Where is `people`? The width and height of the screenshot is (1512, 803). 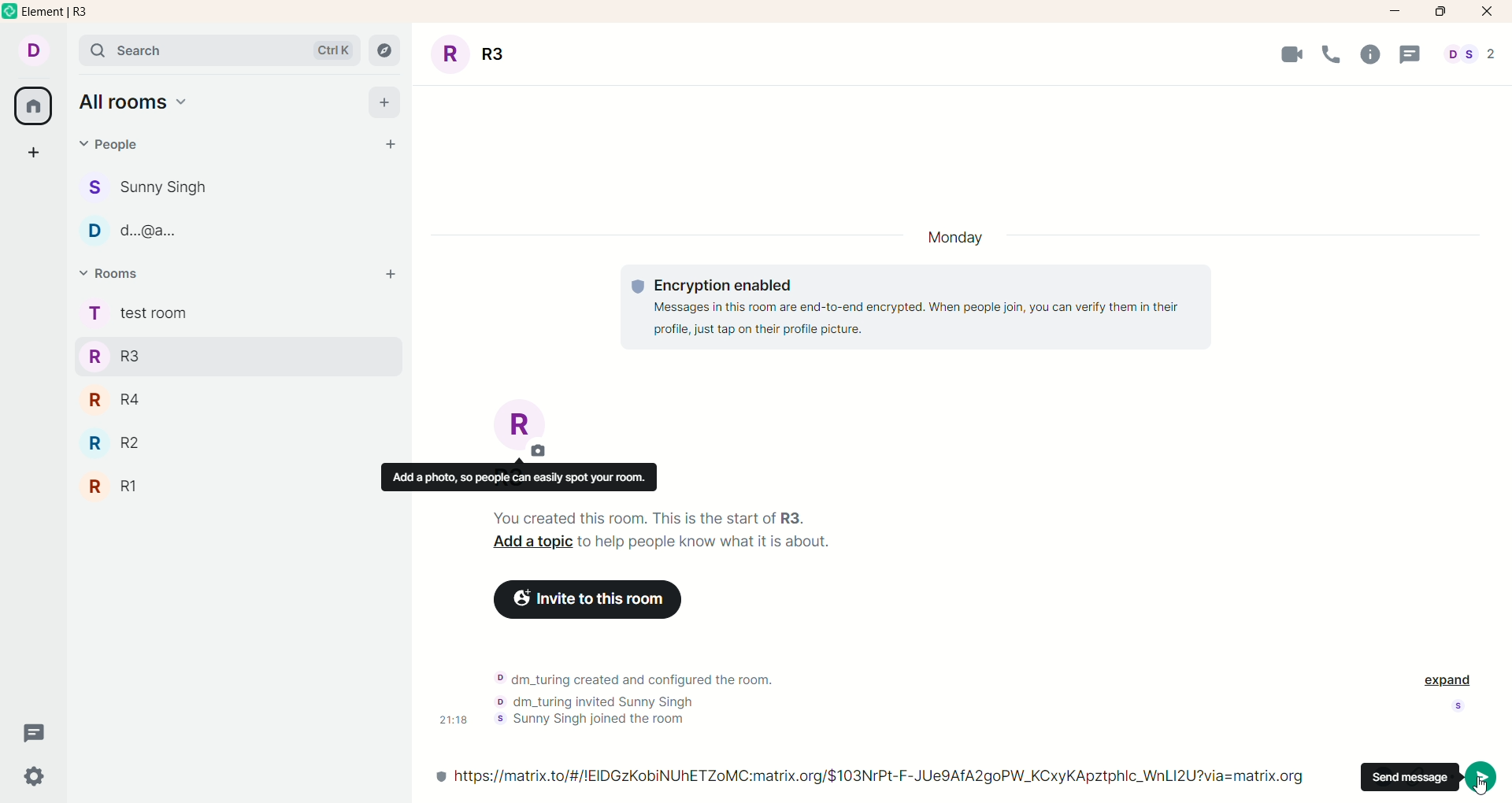 people is located at coordinates (113, 143).